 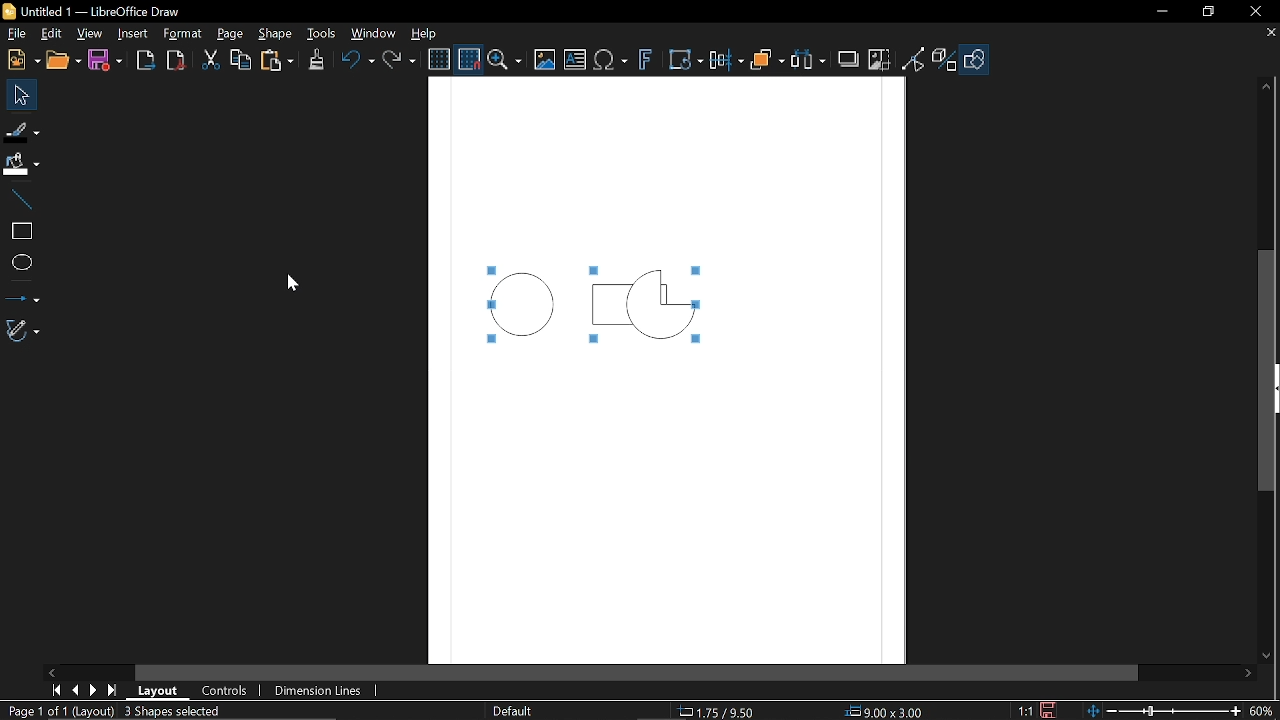 What do you see at coordinates (9, 10) in the screenshot?
I see `Libreoffice Logo` at bounding box center [9, 10].